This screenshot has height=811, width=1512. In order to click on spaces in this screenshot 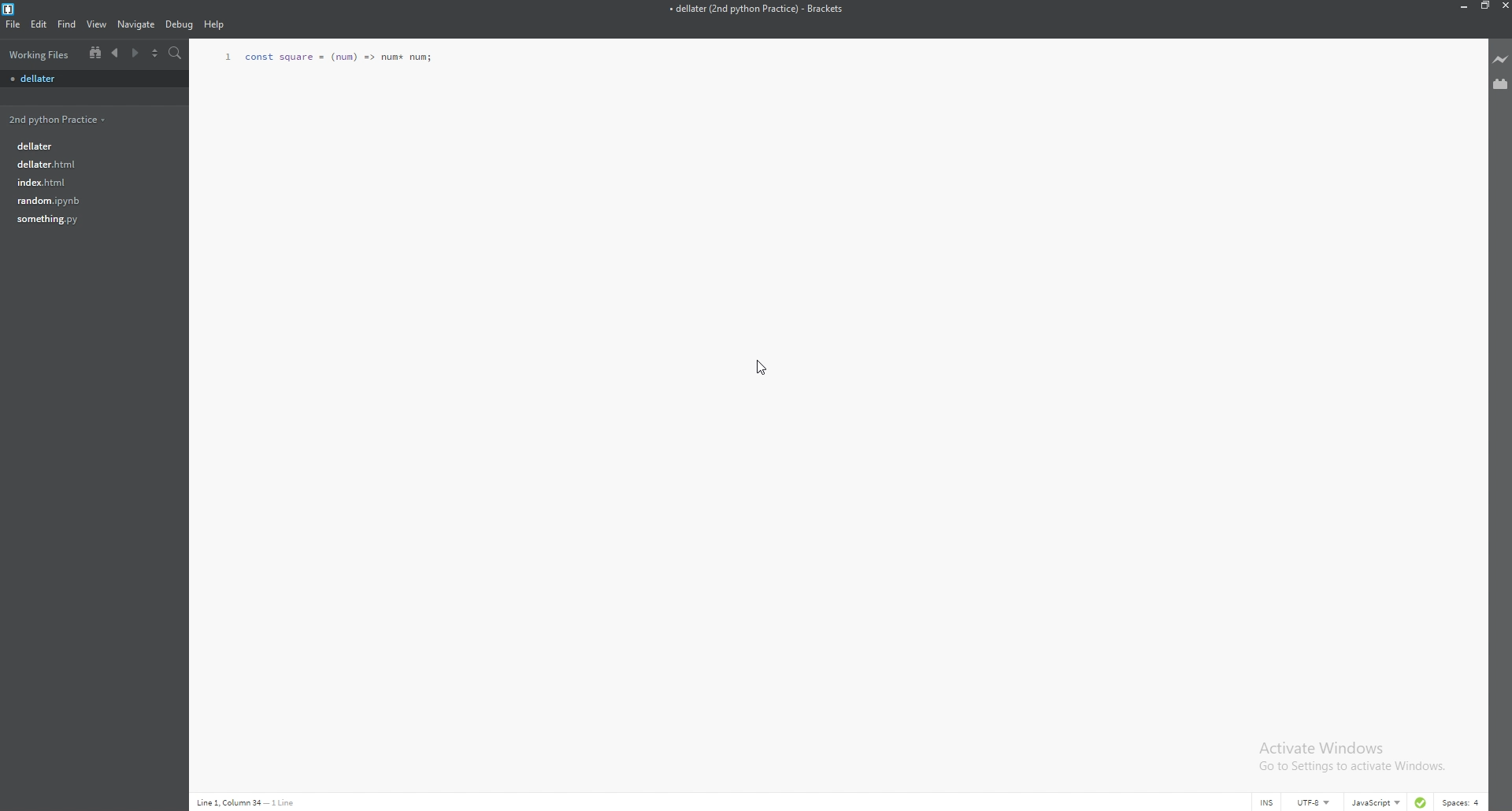, I will do `click(1462, 802)`.